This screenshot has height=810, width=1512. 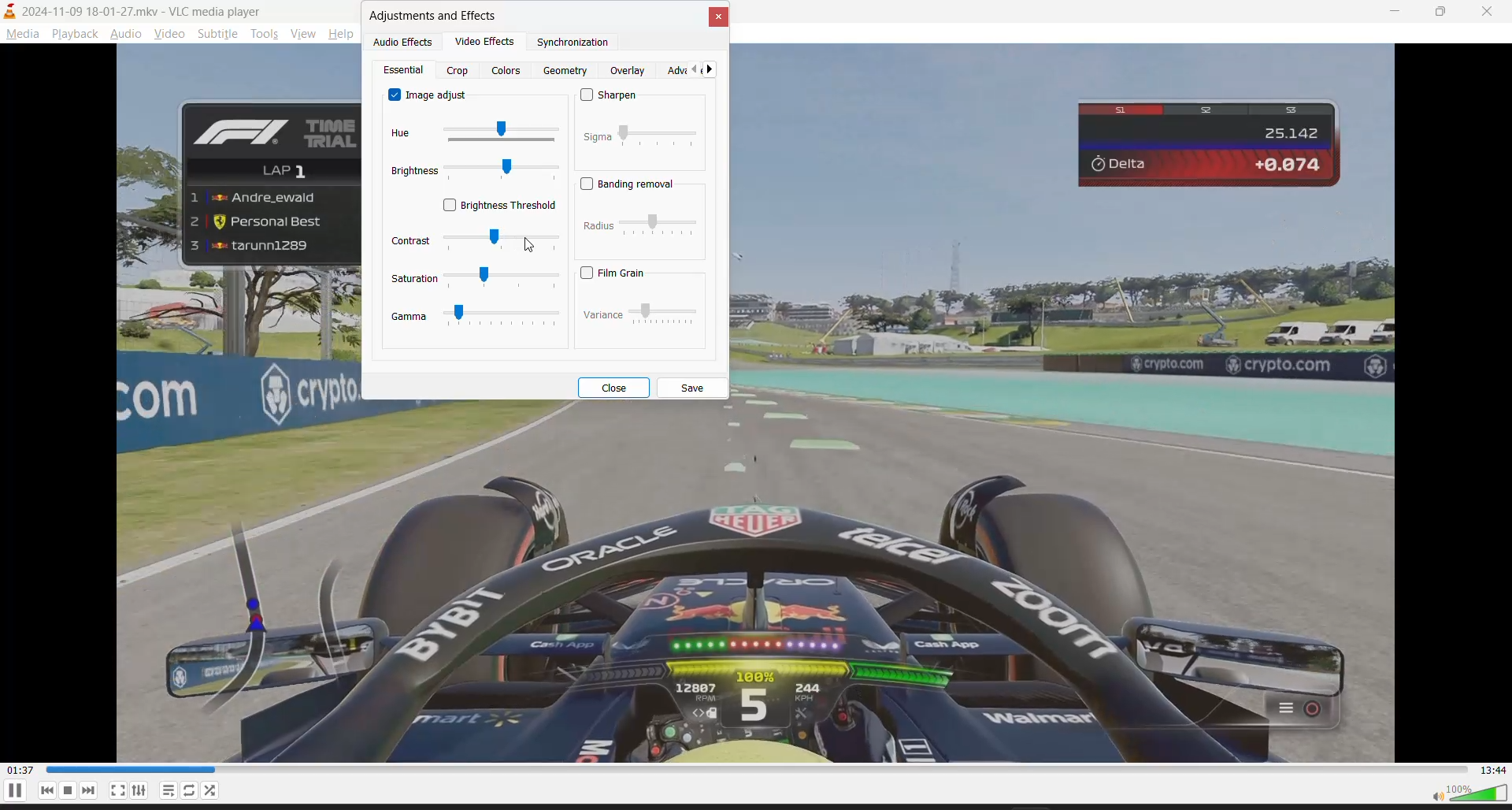 What do you see at coordinates (721, 18) in the screenshot?
I see `close tab` at bounding box center [721, 18].